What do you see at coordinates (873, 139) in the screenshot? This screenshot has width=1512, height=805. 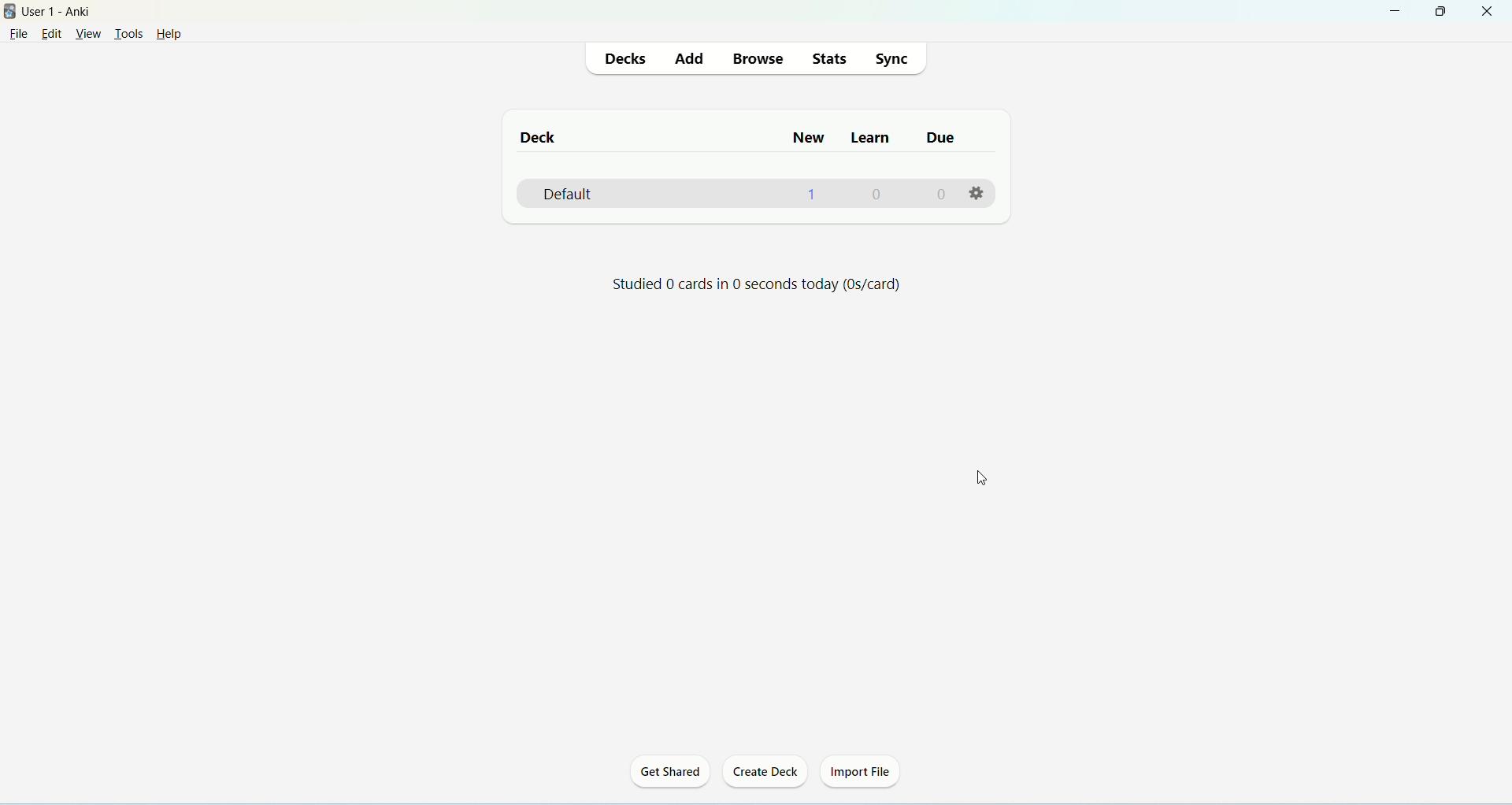 I see `learn` at bounding box center [873, 139].